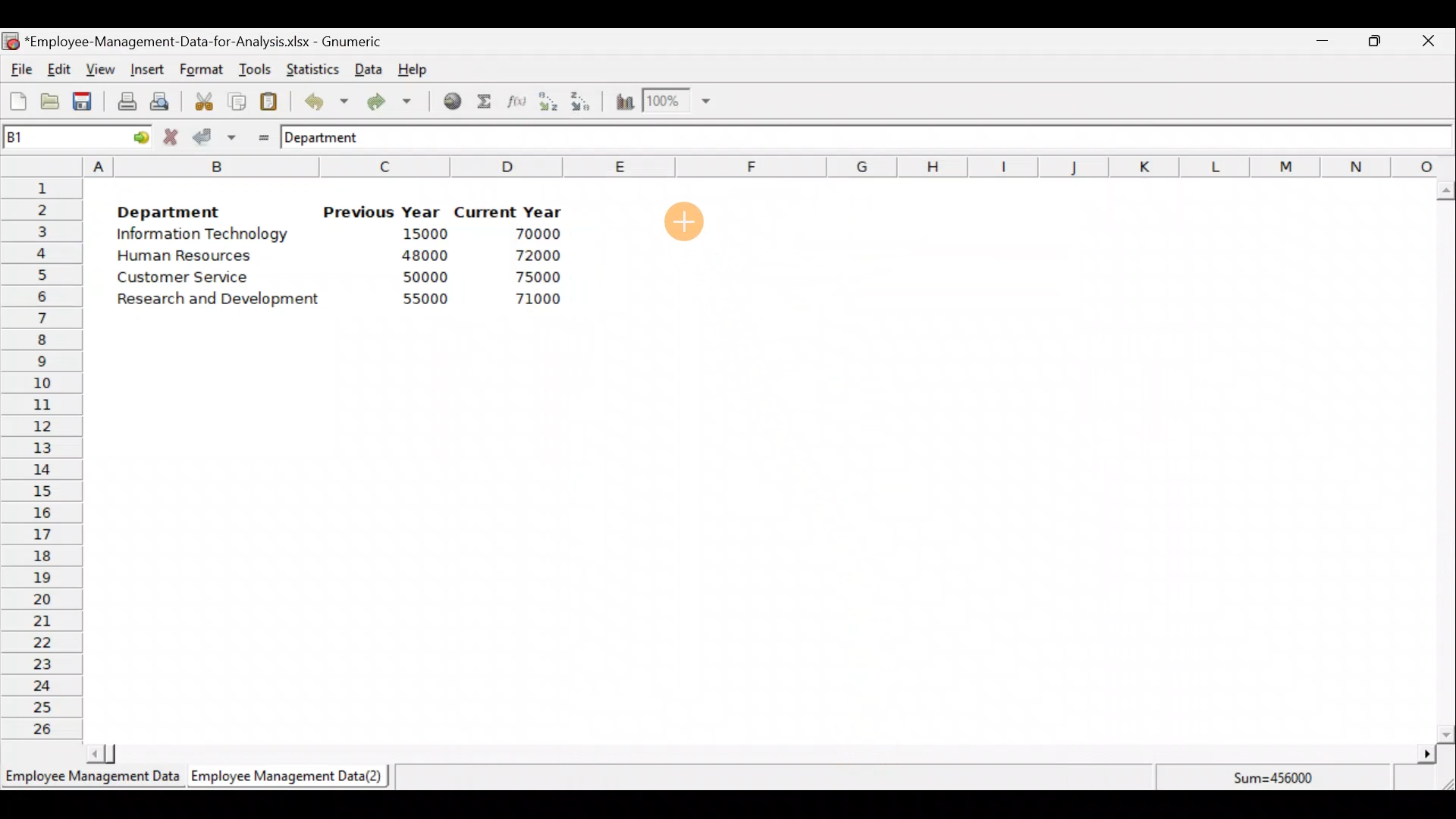 The image size is (1456, 819). Describe the element at coordinates (268, 101) in the screenshot. I see `Paste the clipboard` at that location.